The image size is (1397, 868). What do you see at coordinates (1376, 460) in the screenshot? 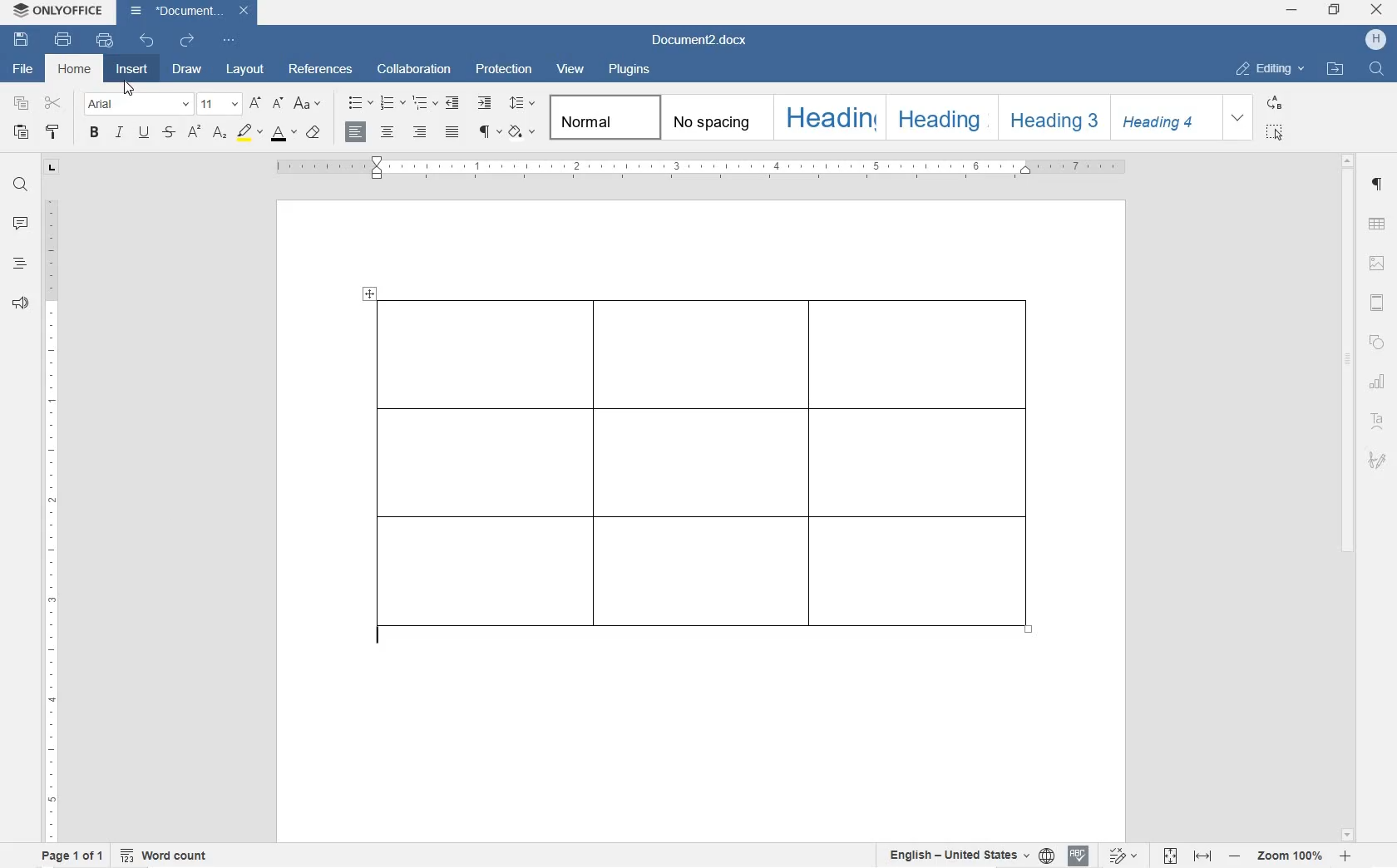
I see `signature` at bounding box center [1376, 460].